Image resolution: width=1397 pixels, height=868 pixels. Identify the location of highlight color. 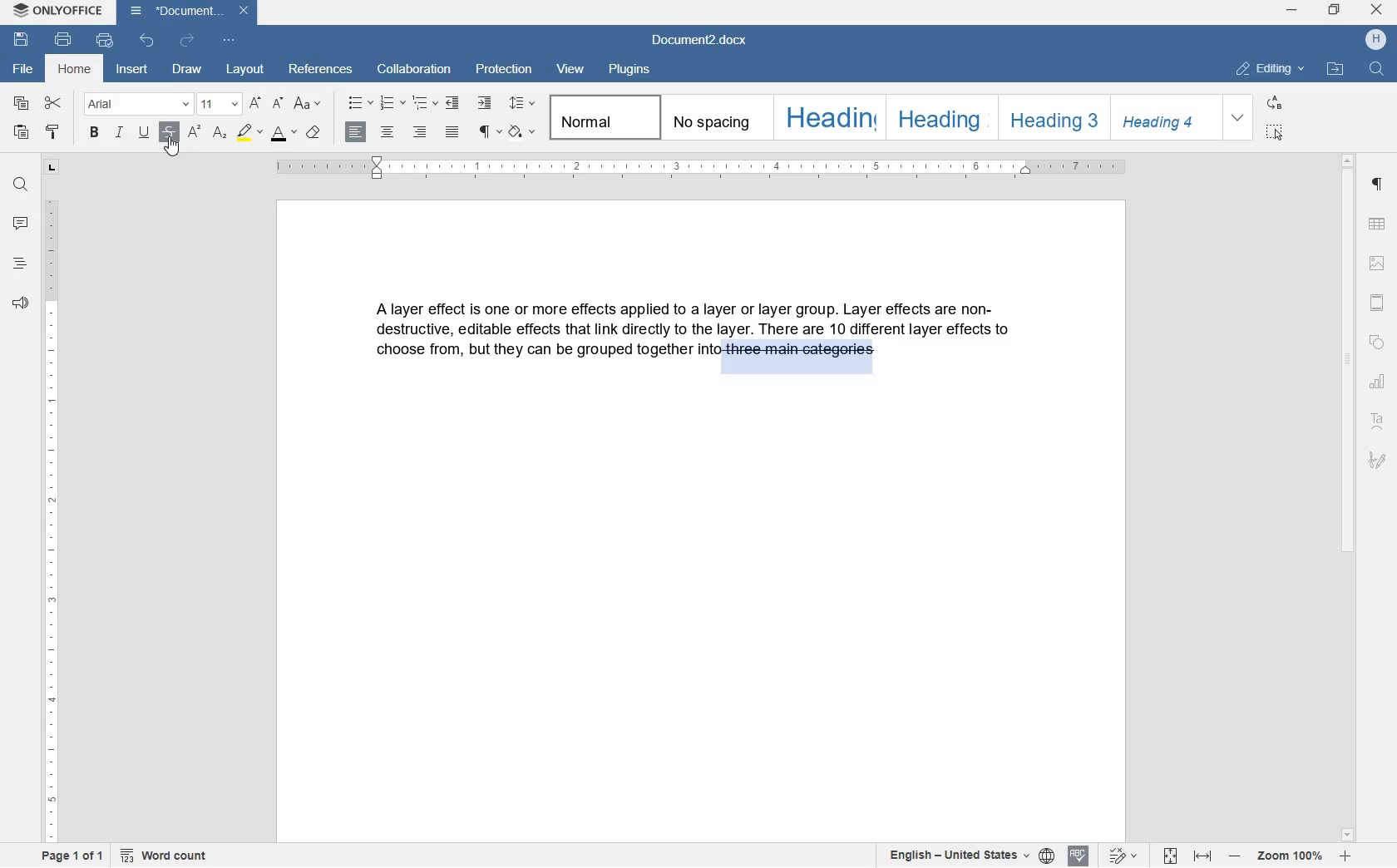
(250, 134).